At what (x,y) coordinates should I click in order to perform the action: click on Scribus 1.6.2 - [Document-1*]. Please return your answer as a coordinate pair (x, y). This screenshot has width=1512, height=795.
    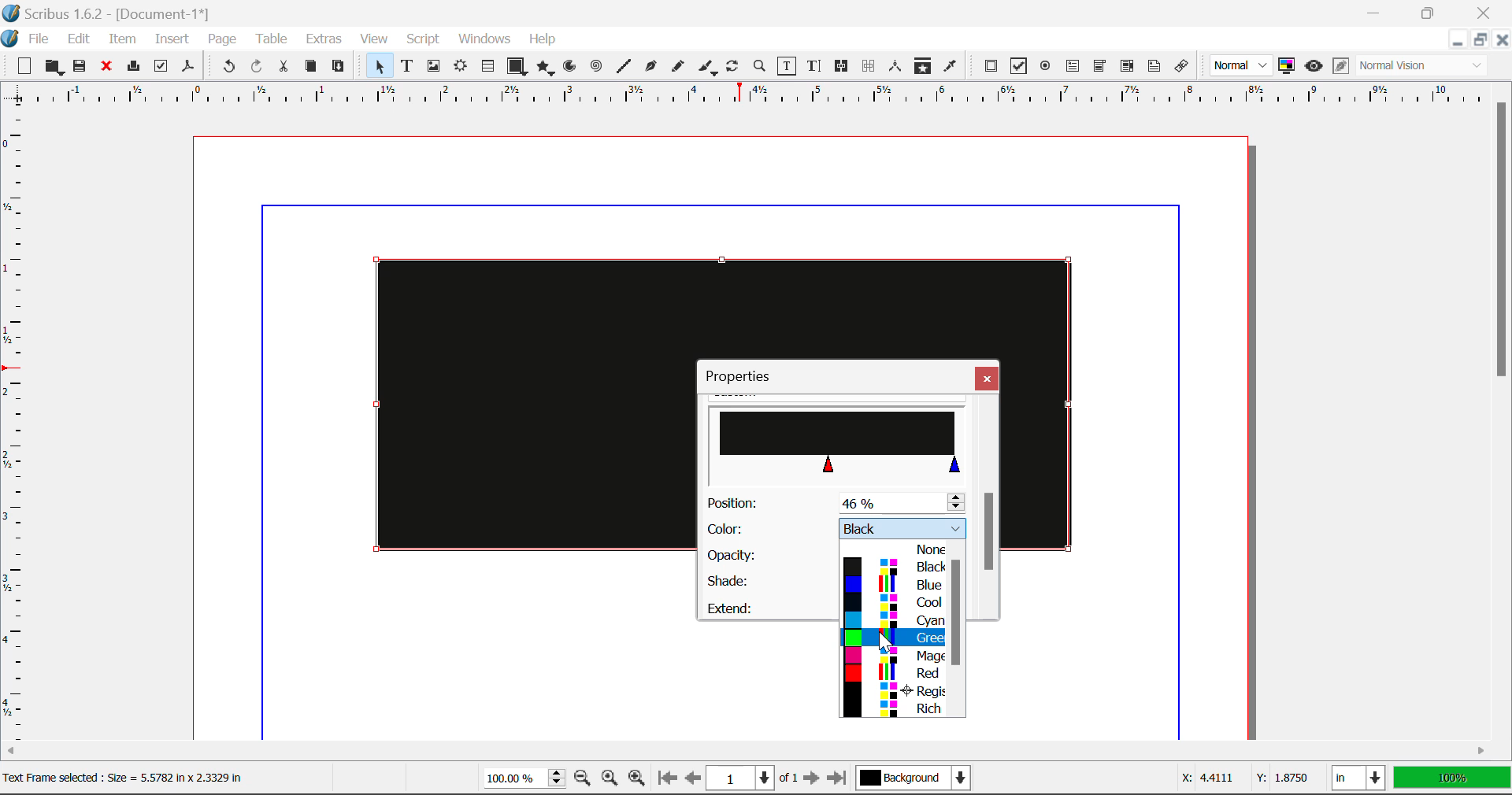
    Looking at the image, I should click on (119, 13).